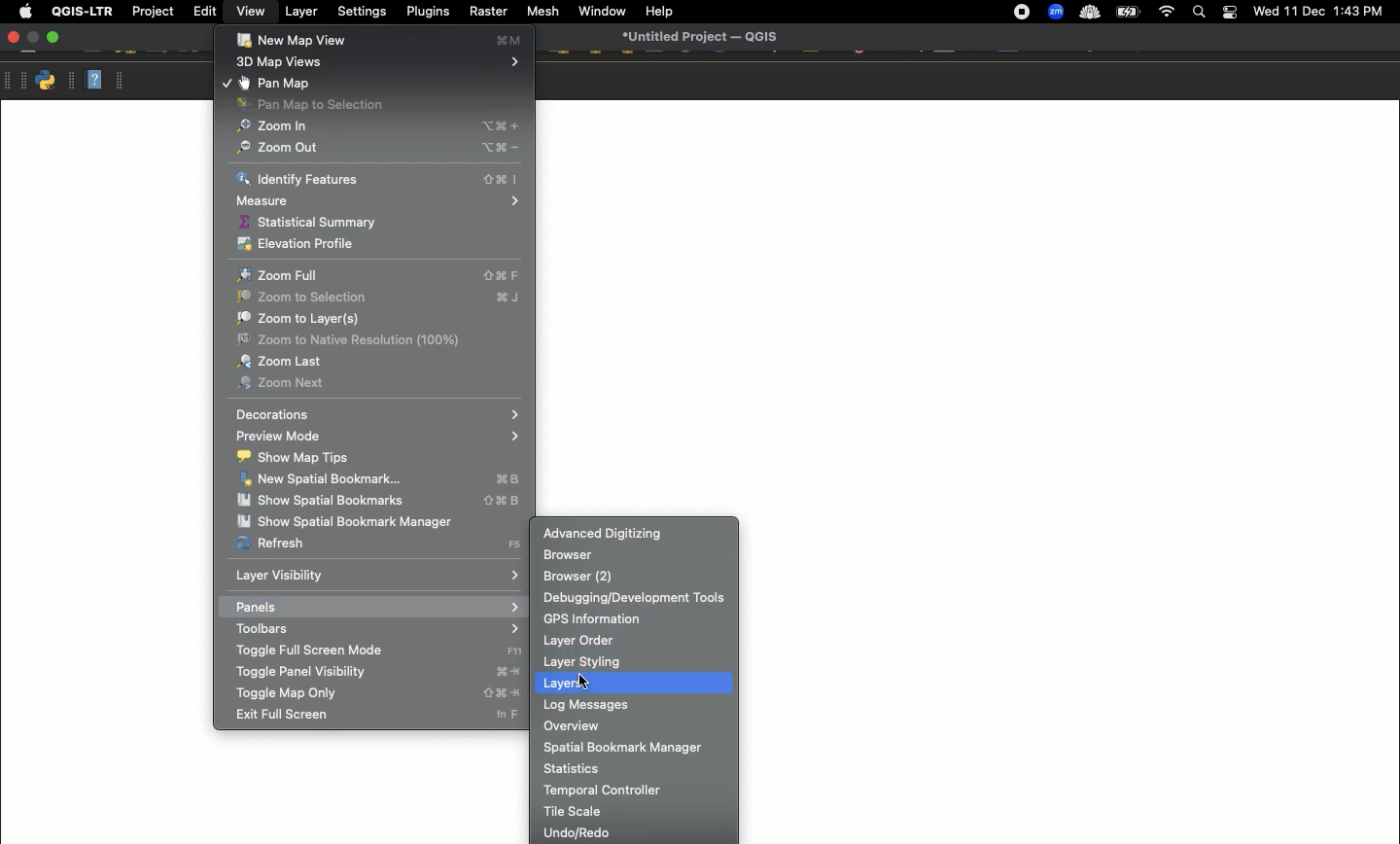 The image size is (1400, 844). I want to click on 3D map views, so click(378, 63).